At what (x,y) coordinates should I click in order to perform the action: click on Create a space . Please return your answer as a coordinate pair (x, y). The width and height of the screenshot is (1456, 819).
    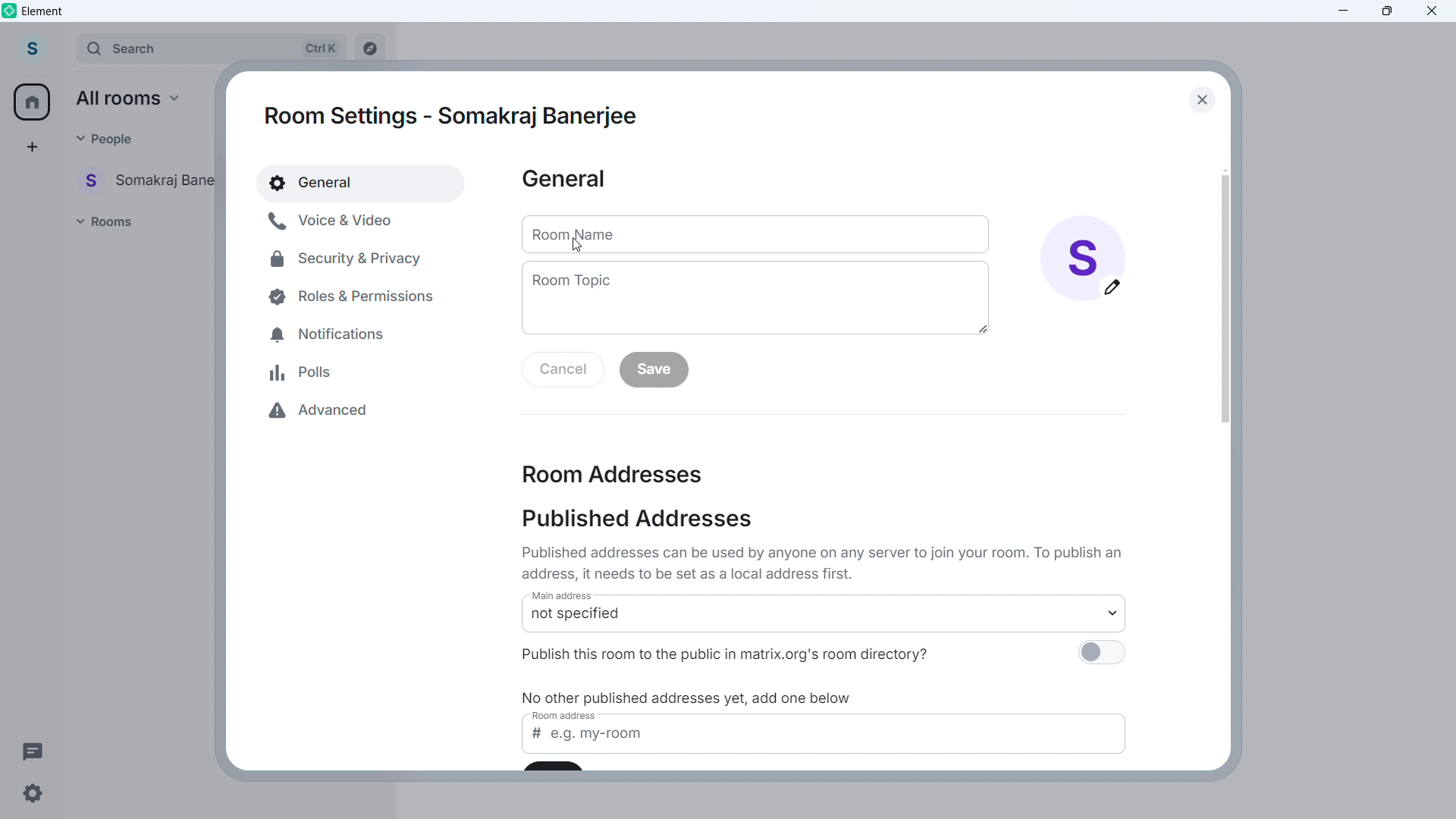
    Looking at the image, I should click on (31, 147).